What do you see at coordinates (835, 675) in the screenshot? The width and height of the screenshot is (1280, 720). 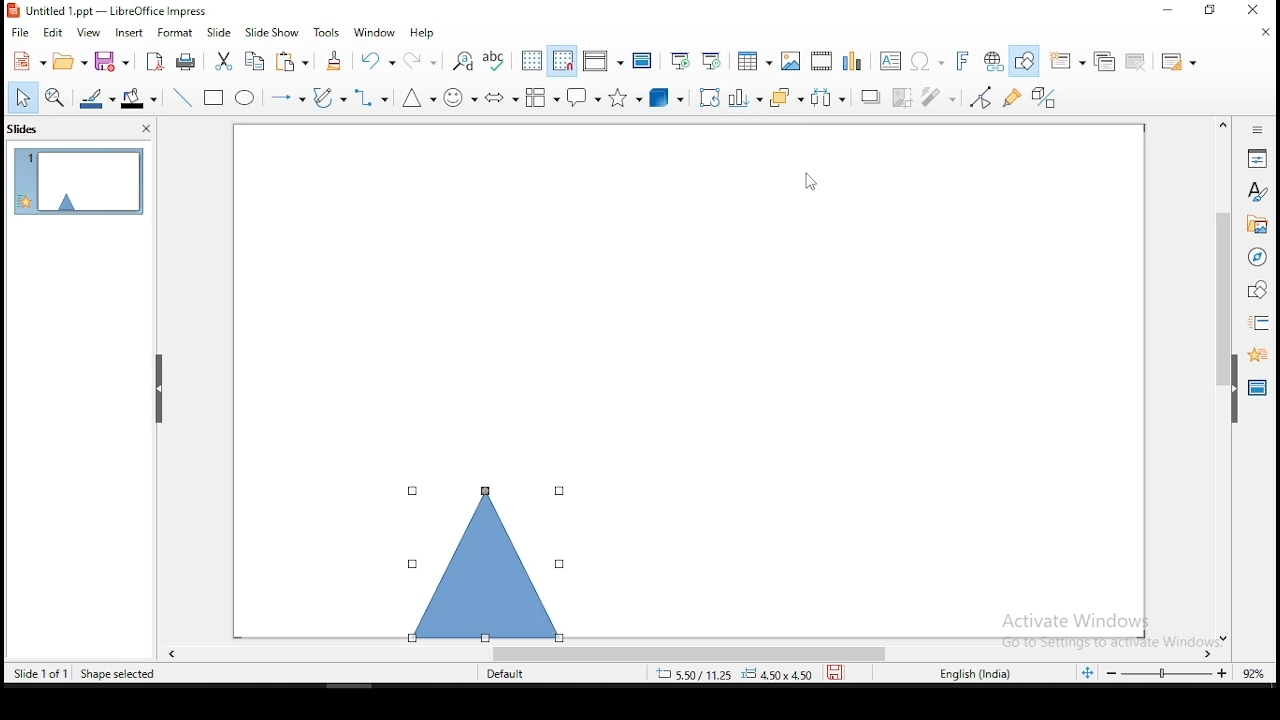 I see `save` at bounding box center [835, 675].